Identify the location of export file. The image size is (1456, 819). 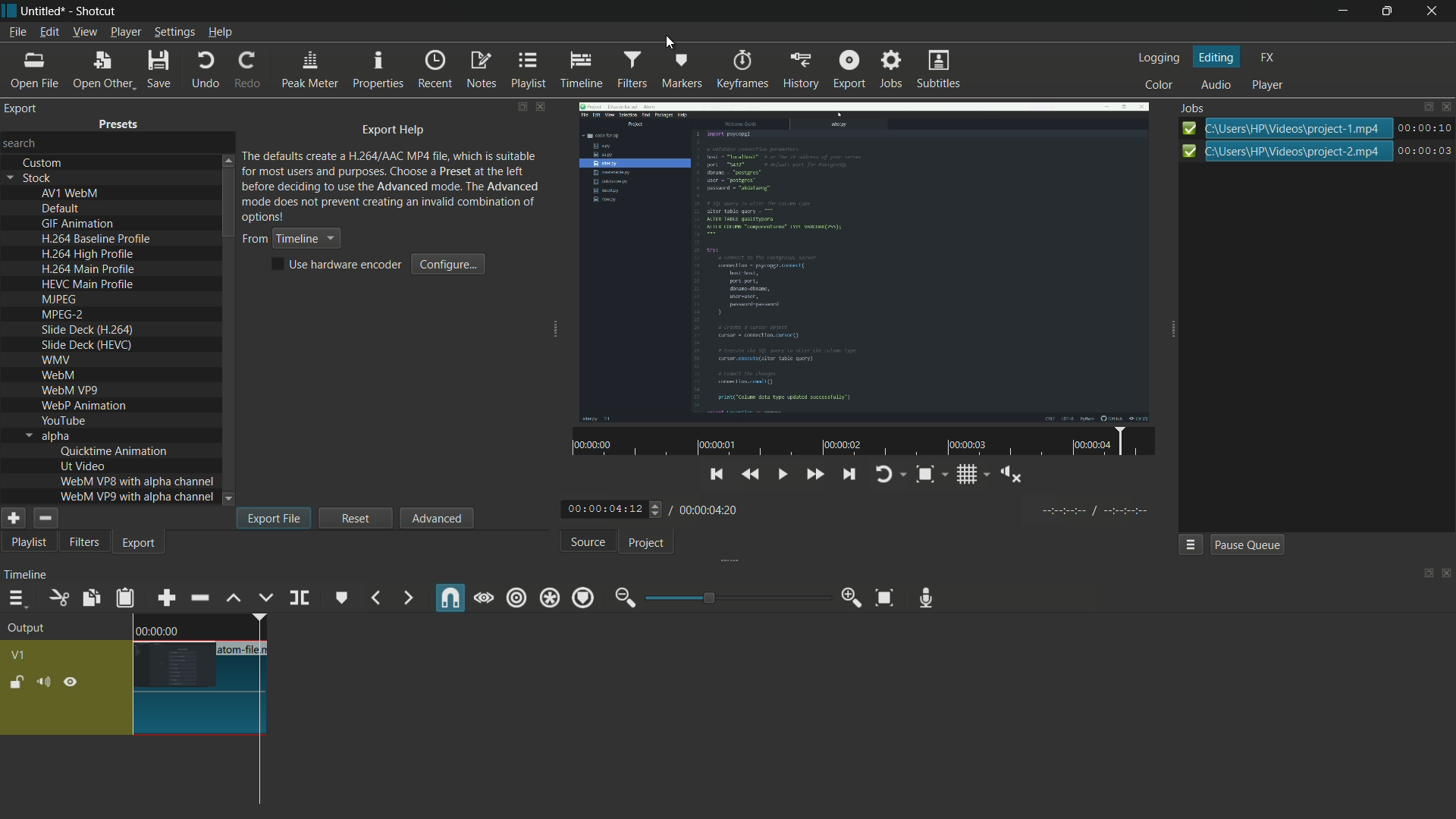
(274, 518).